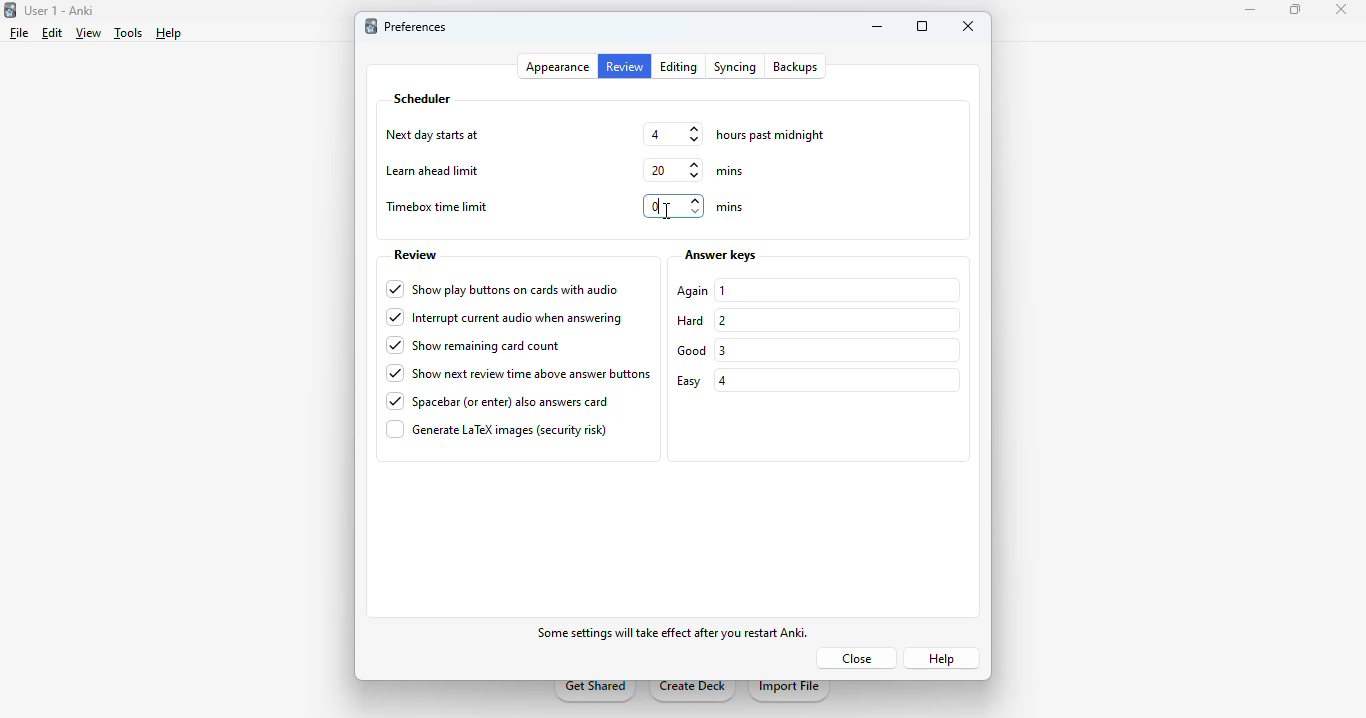 This screenshot has height=718, width=1366. What do you see at coordinates (690, 321) in the screenshot?
I see `hard` at bounding box center [690, 321].